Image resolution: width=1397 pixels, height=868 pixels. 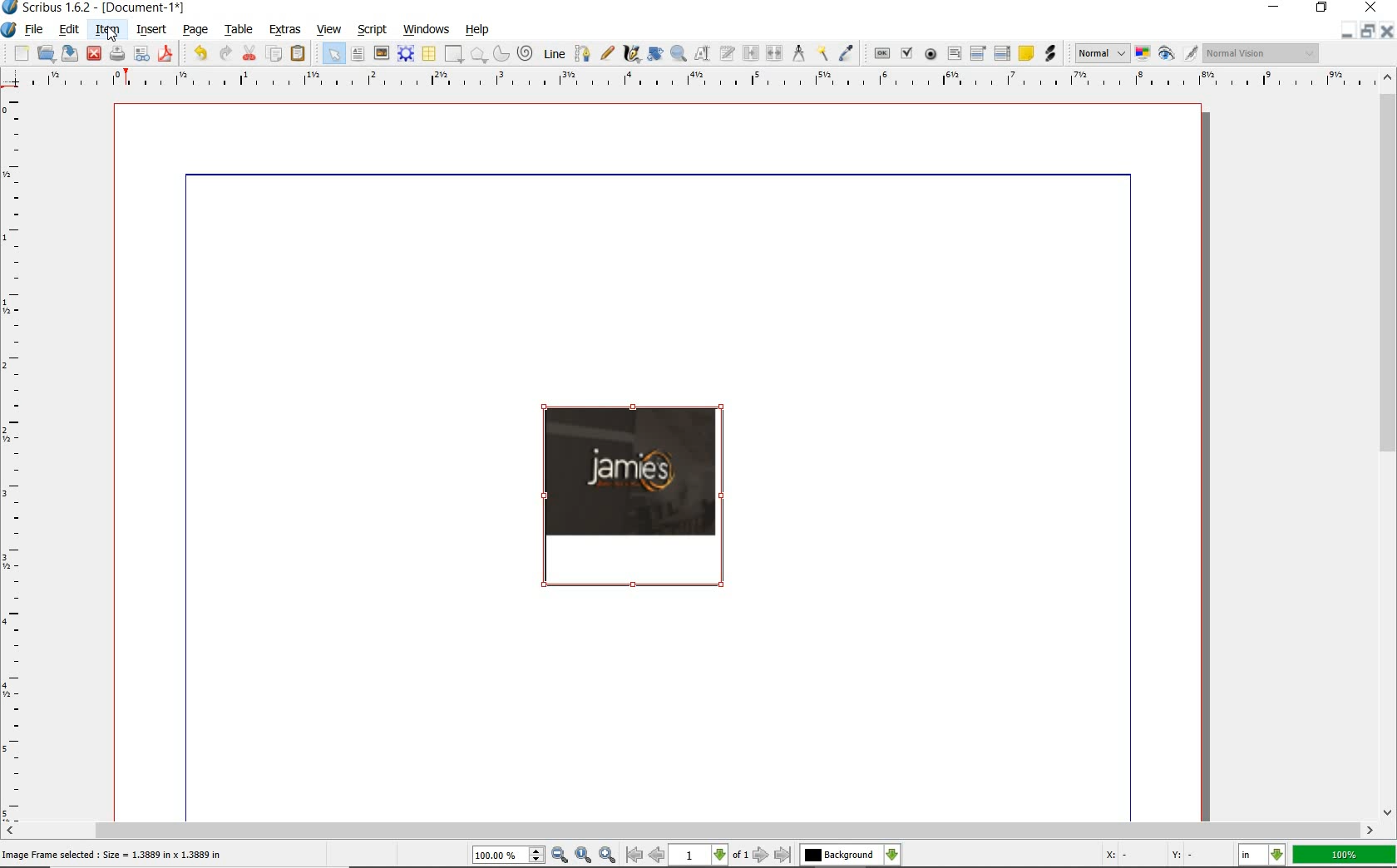 I want to click on pdf list box, so click(x=1002, y=55).